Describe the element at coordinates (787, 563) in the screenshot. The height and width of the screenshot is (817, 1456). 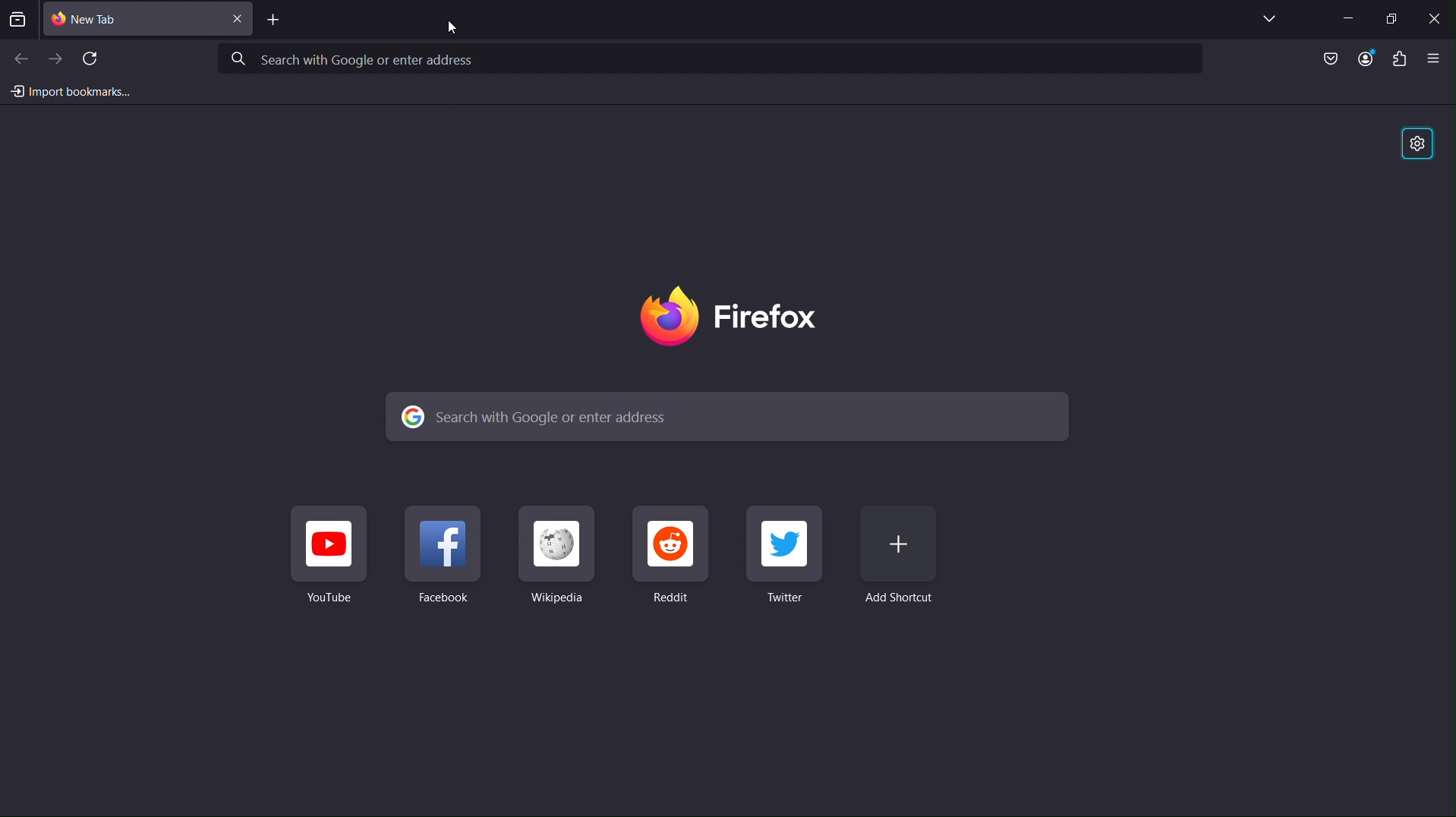
I see `Twitter Shortcut` at that location.